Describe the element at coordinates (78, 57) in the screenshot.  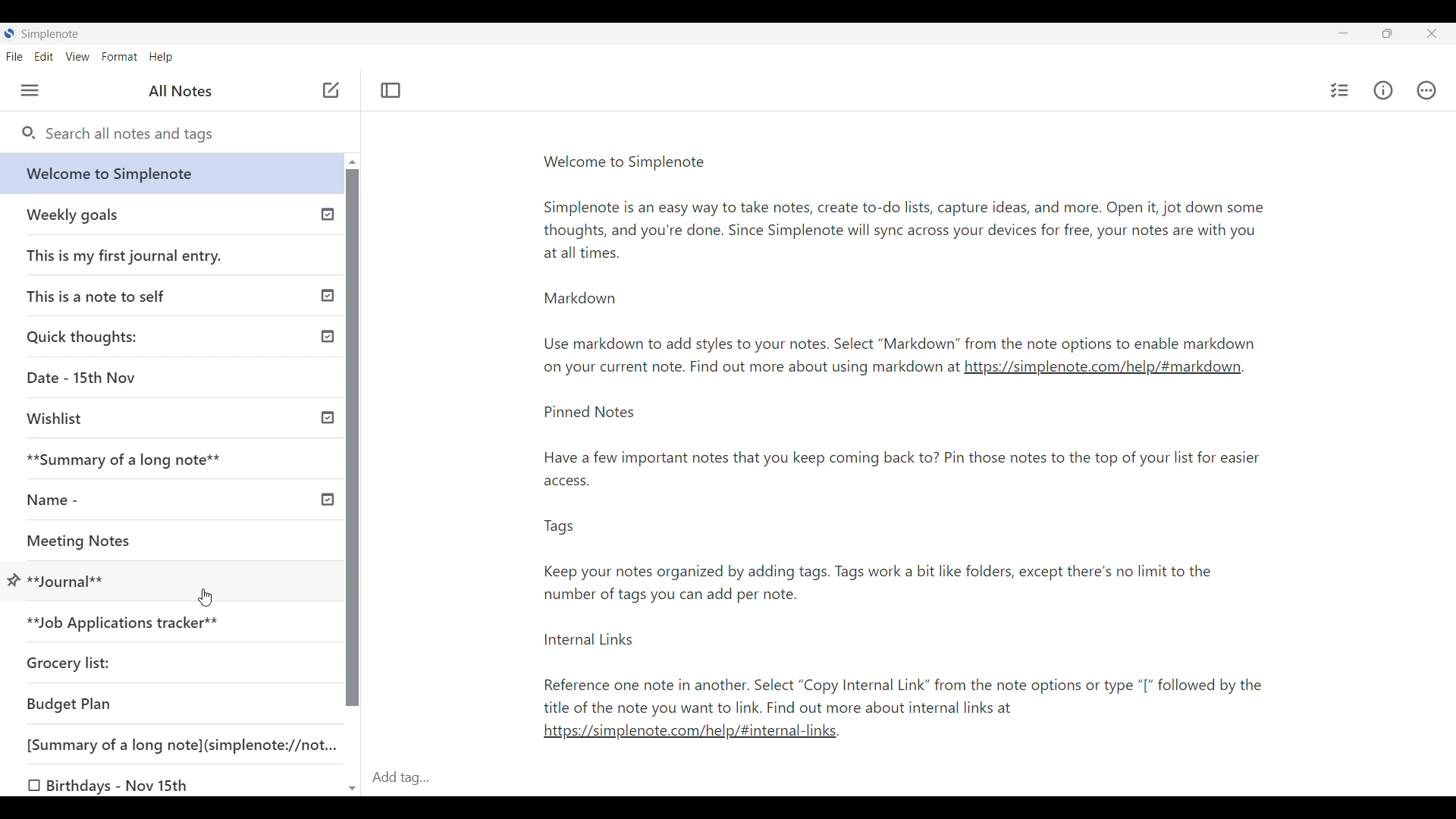
I see `View menu` at that location.